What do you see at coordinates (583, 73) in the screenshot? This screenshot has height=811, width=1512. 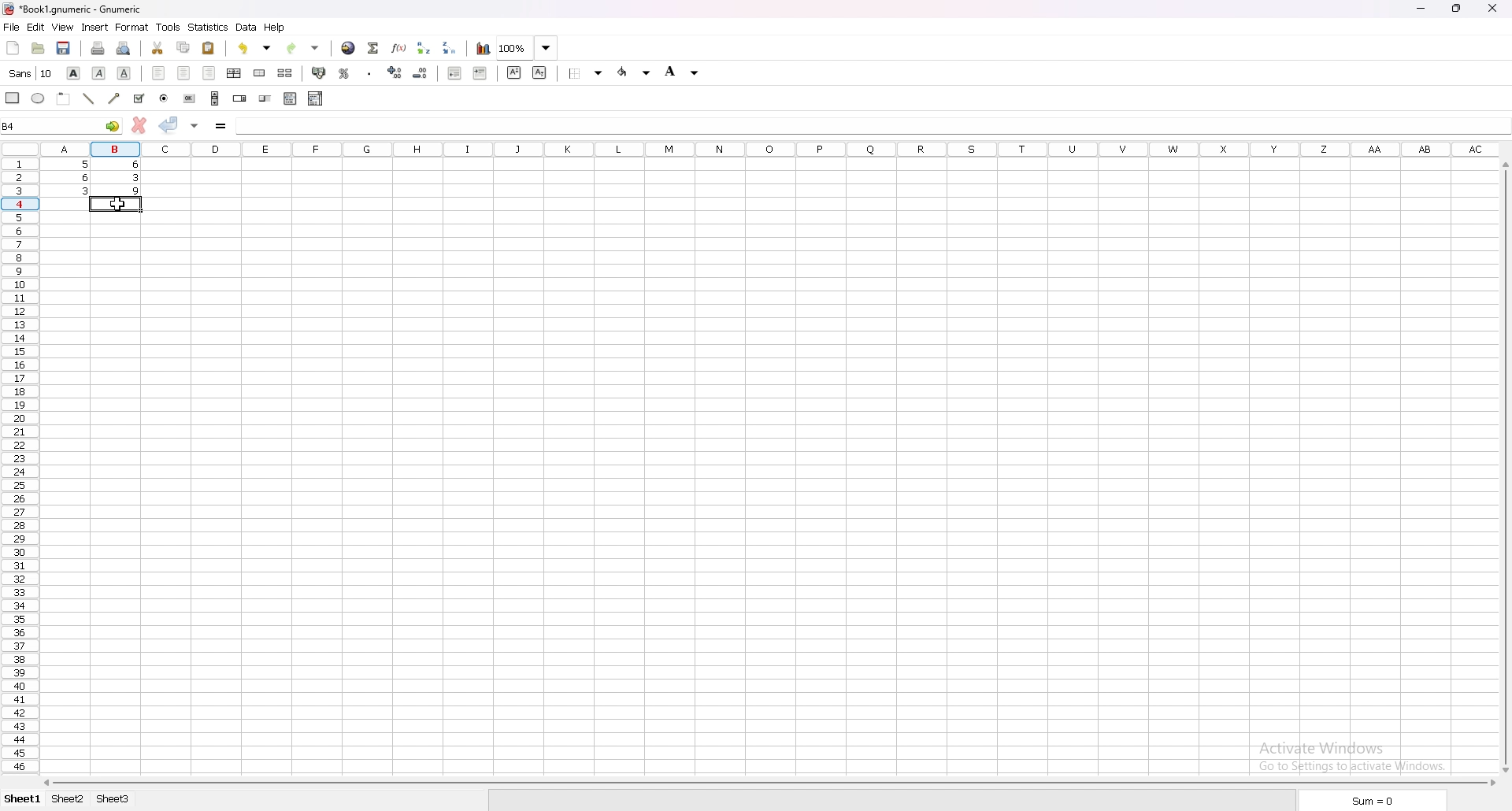 I see `border` at bounding box center [583, 73].